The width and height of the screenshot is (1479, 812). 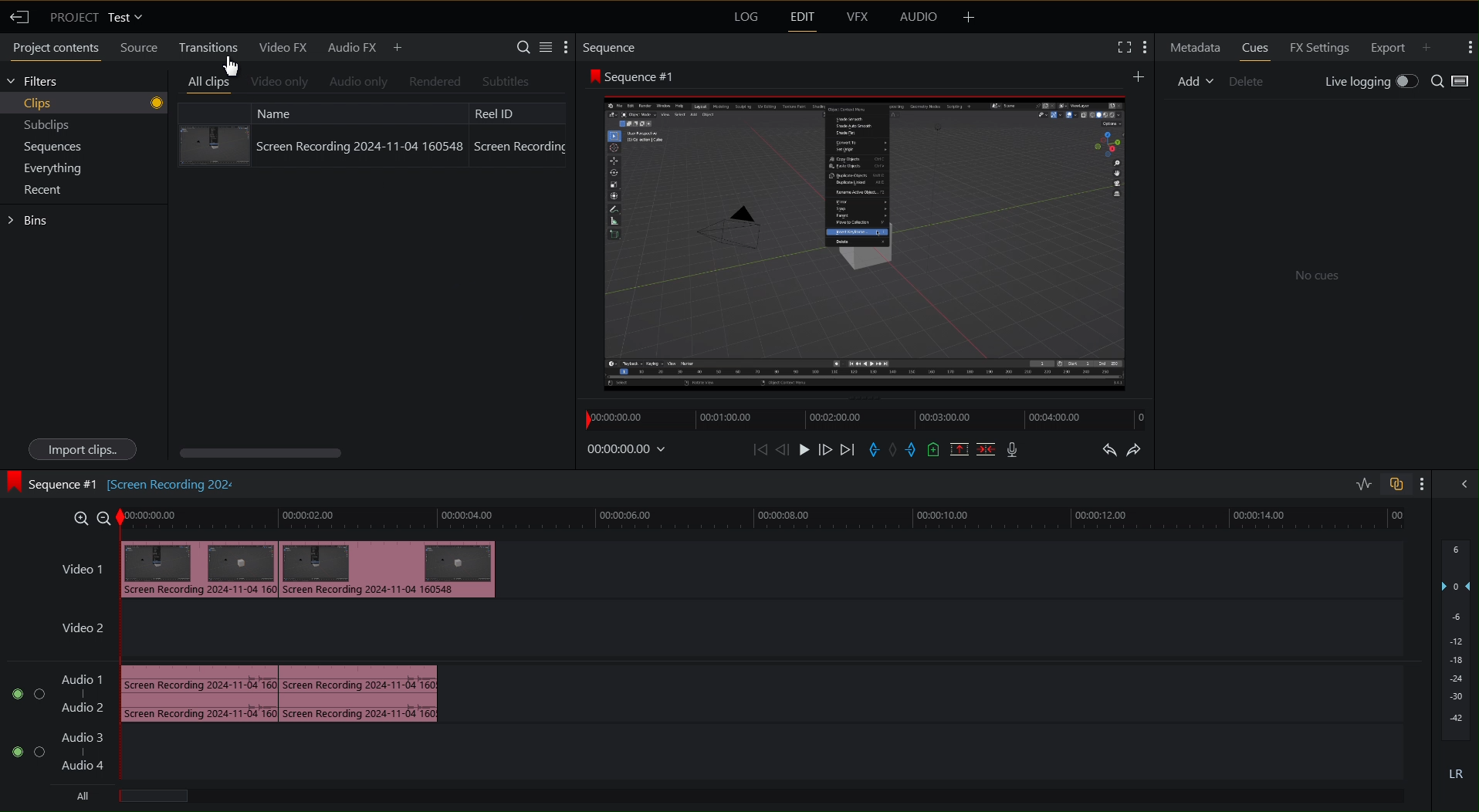 What do you see at coordinates (540, 46) in the screenshot?
I see `Settings` at bounding box center [540, 46].